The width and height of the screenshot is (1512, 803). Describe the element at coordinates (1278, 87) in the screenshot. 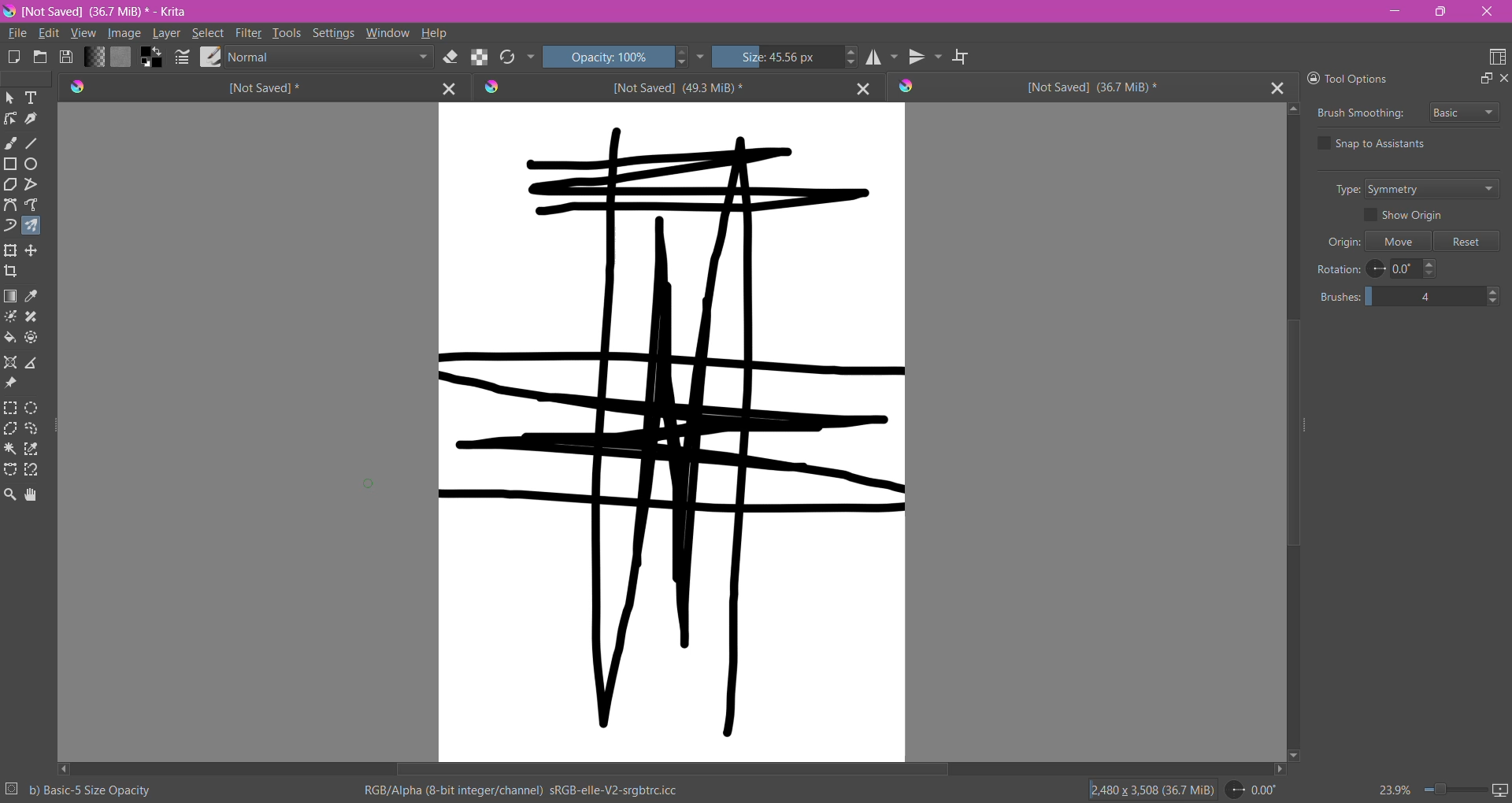

I see `Close Tab` at that location.